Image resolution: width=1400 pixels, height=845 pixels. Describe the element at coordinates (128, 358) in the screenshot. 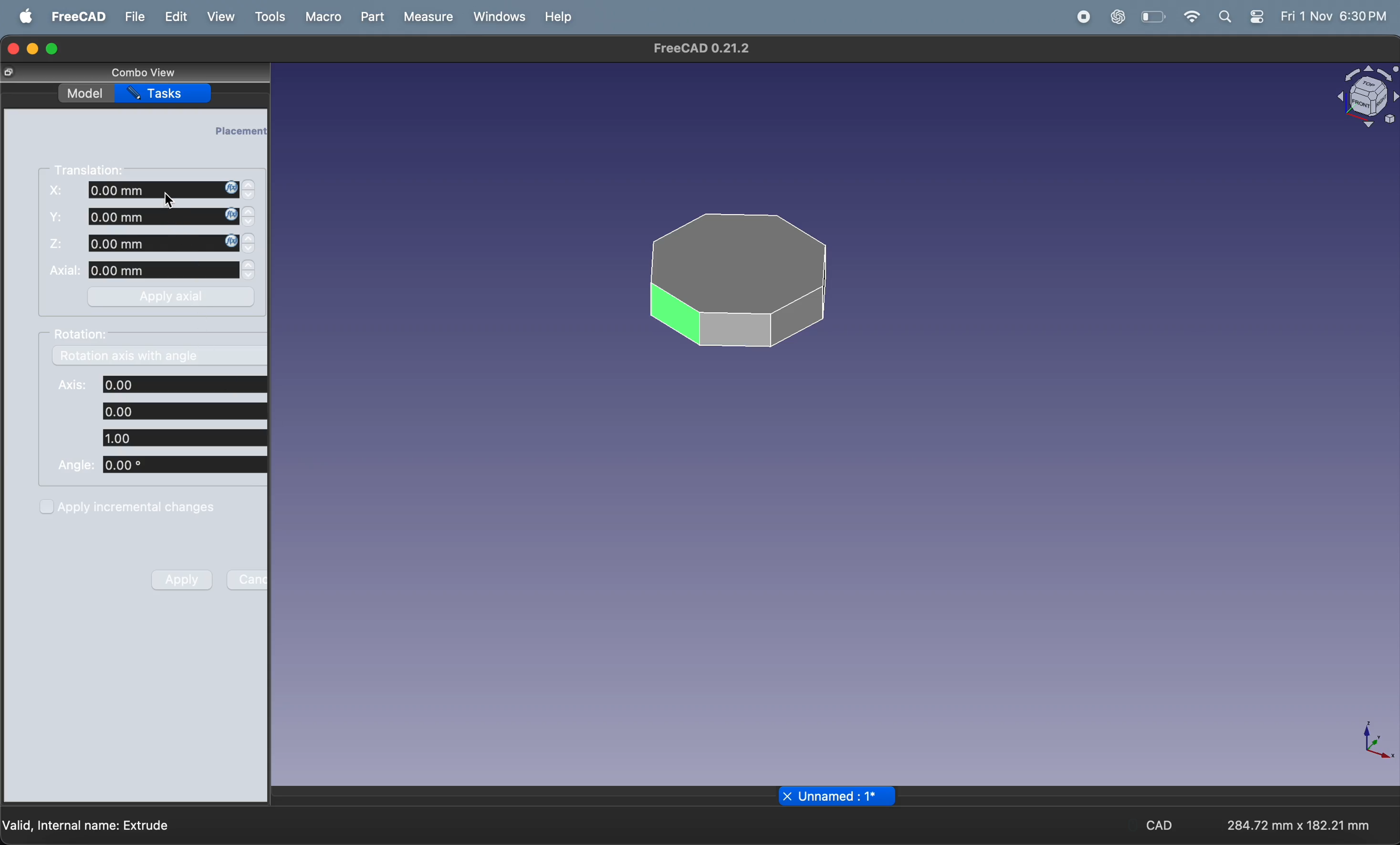

I see `Rotation axis with angle` at that location.